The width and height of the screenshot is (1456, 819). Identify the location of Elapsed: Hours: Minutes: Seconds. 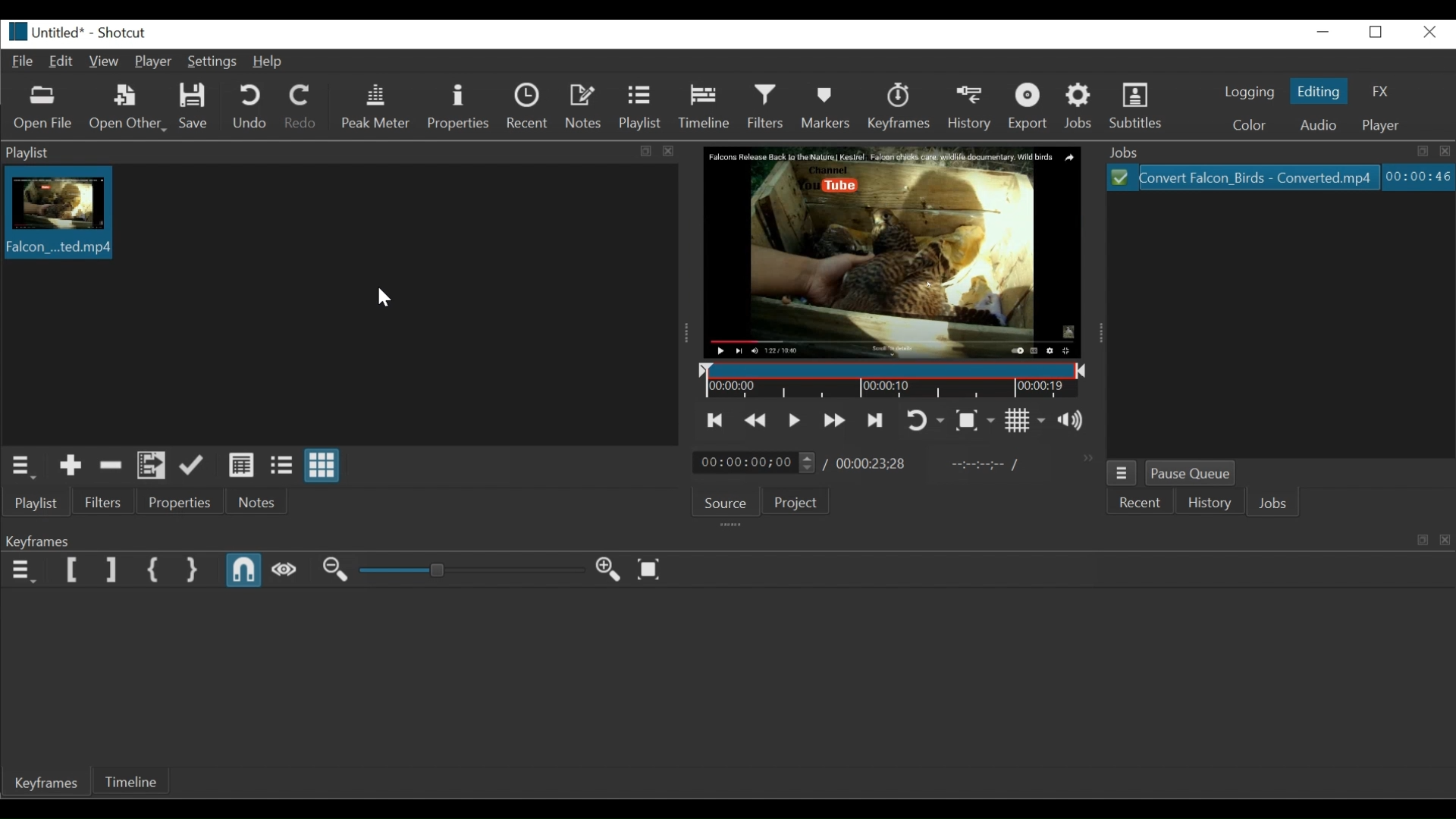
(1418, 176).